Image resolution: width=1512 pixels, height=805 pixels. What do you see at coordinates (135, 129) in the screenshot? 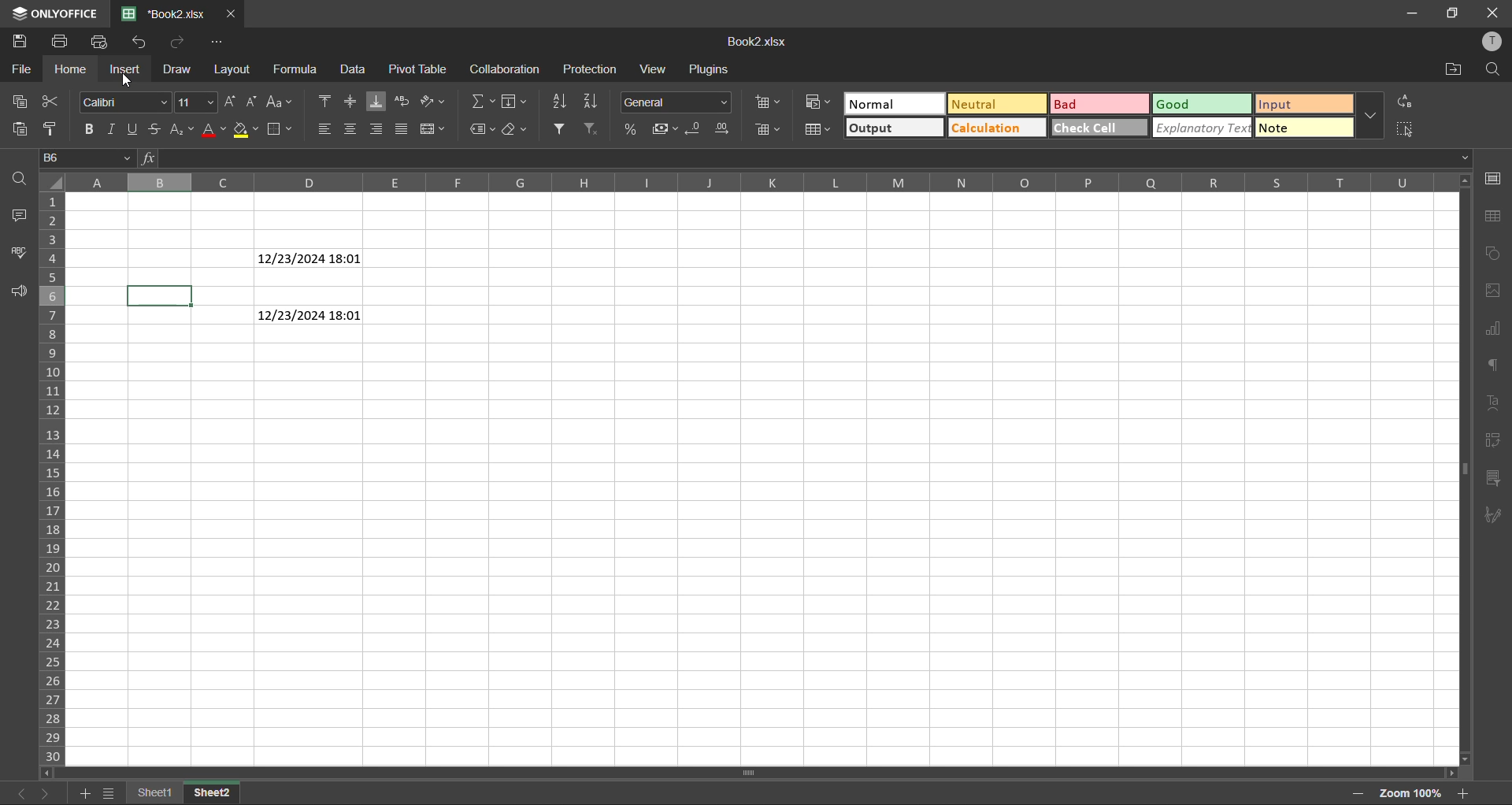
I see `underline` at bounding box center [135, 129].